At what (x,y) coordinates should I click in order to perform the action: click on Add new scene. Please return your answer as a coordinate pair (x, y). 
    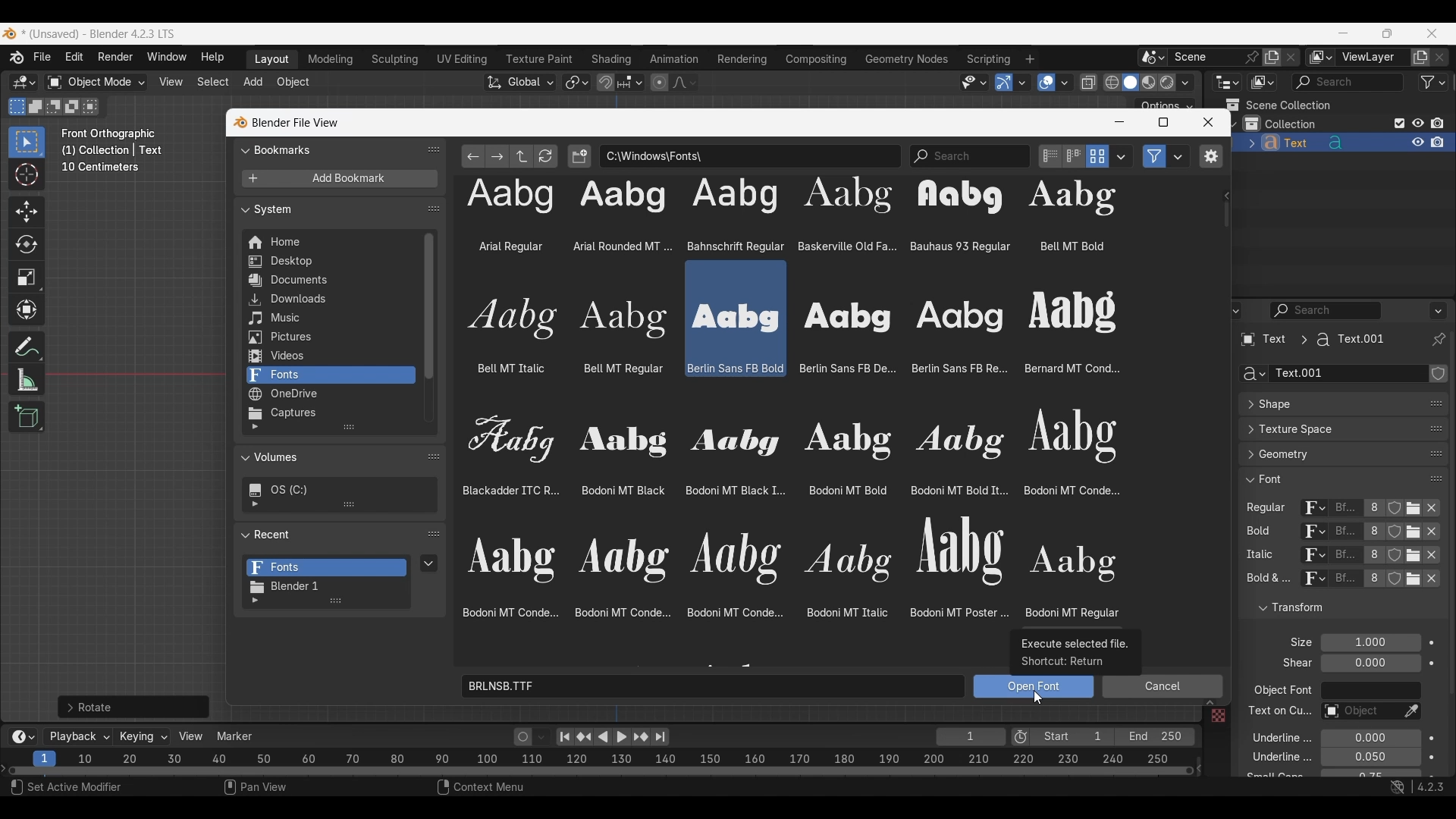
    Looking at the image, I should click on (1272, 58).